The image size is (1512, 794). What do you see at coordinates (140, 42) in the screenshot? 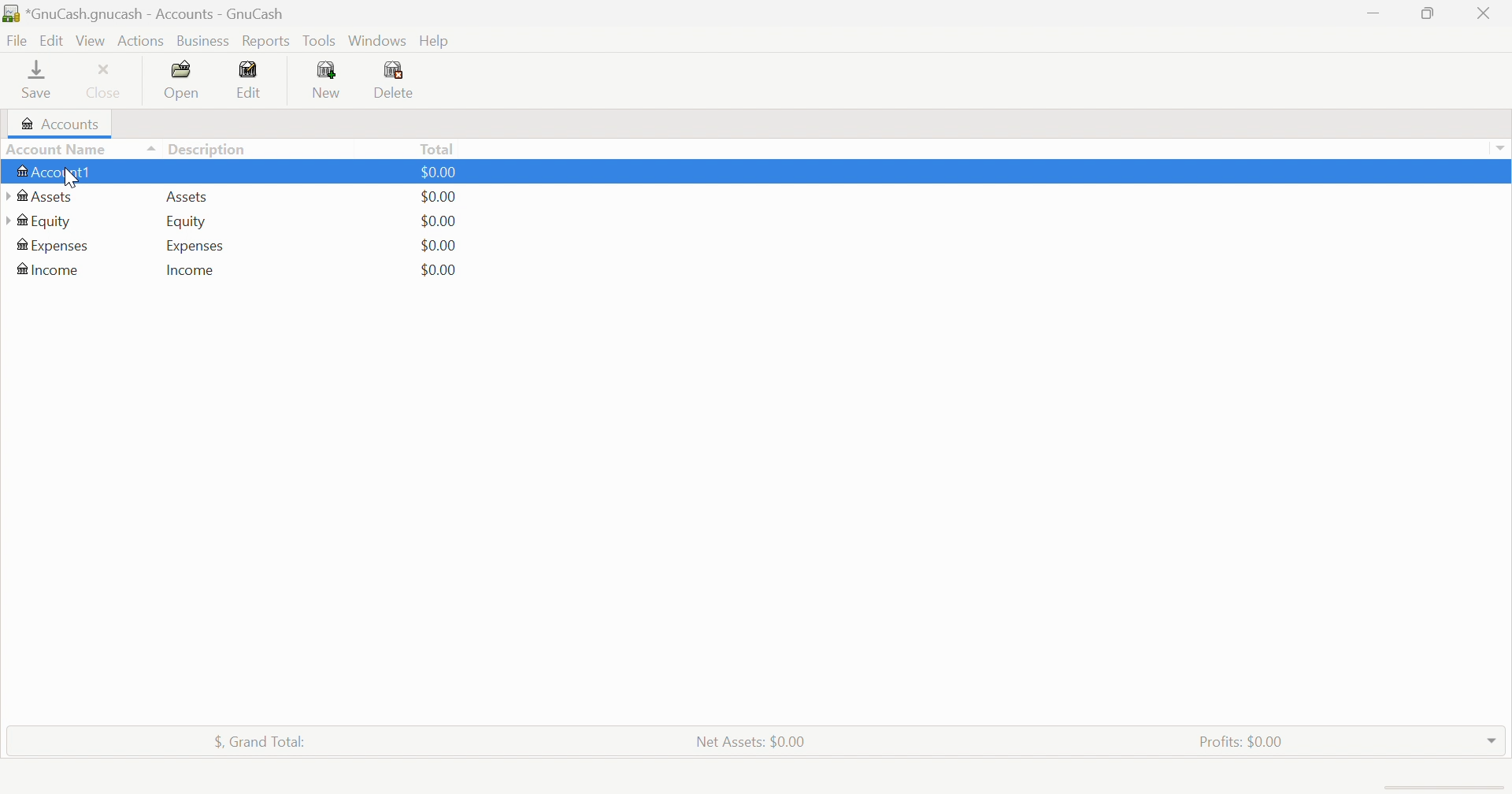
I see `Actions` at bounding box center [140, 42].